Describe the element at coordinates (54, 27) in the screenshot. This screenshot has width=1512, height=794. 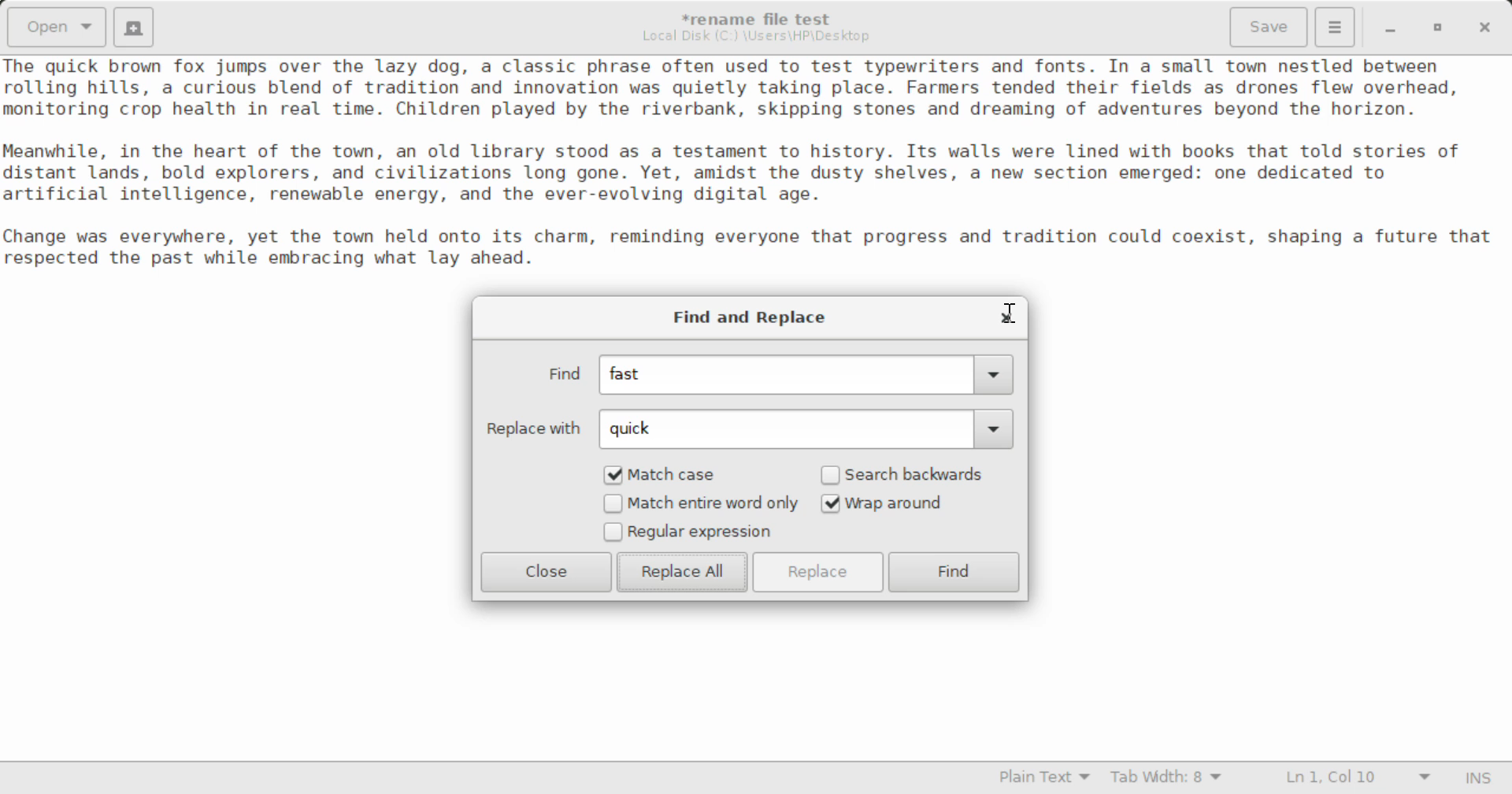
I see `Open Document` at that location.